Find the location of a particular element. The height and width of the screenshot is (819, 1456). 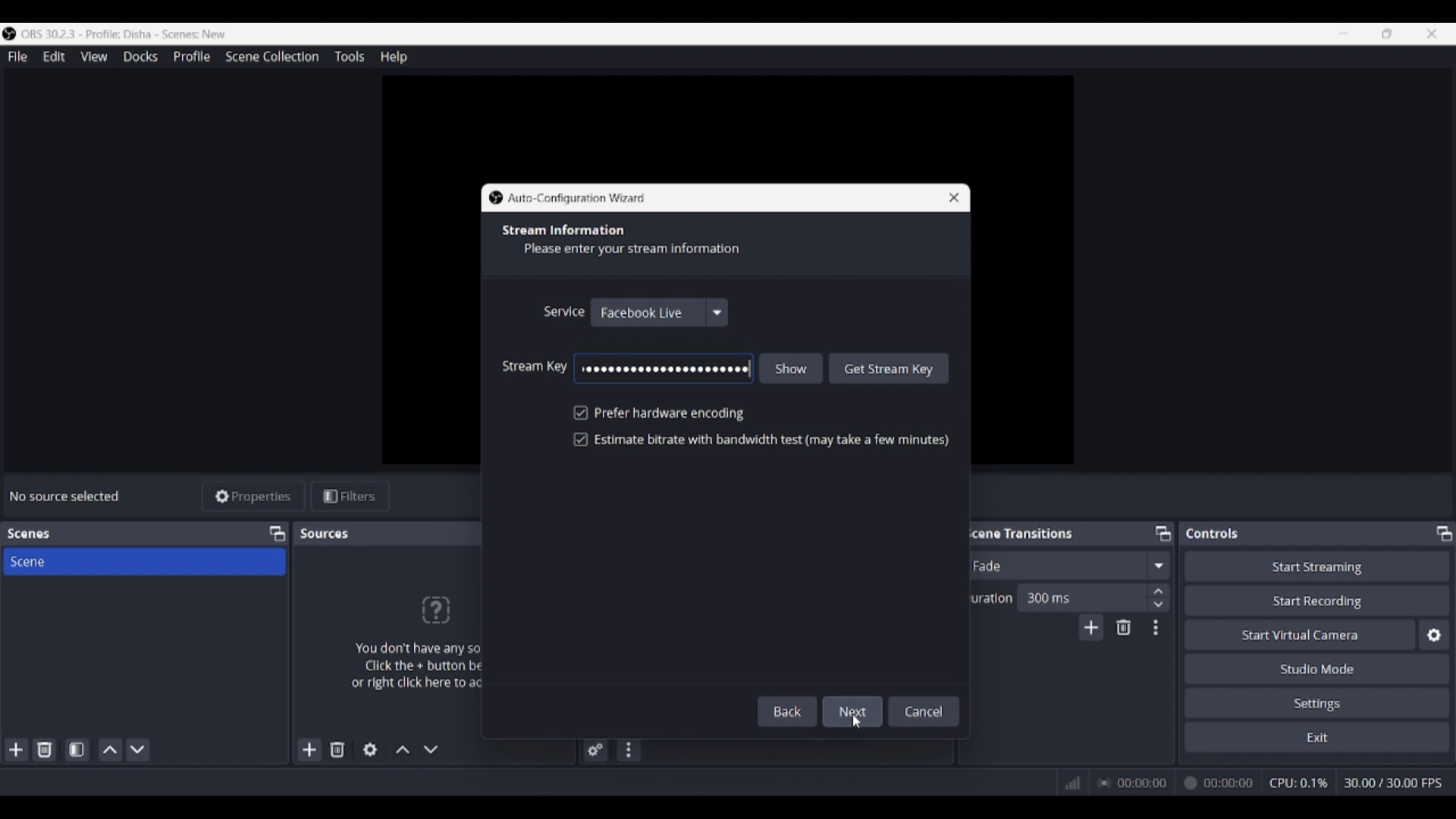

Increase/Decrease duration is located at coordinates (1159, 597).